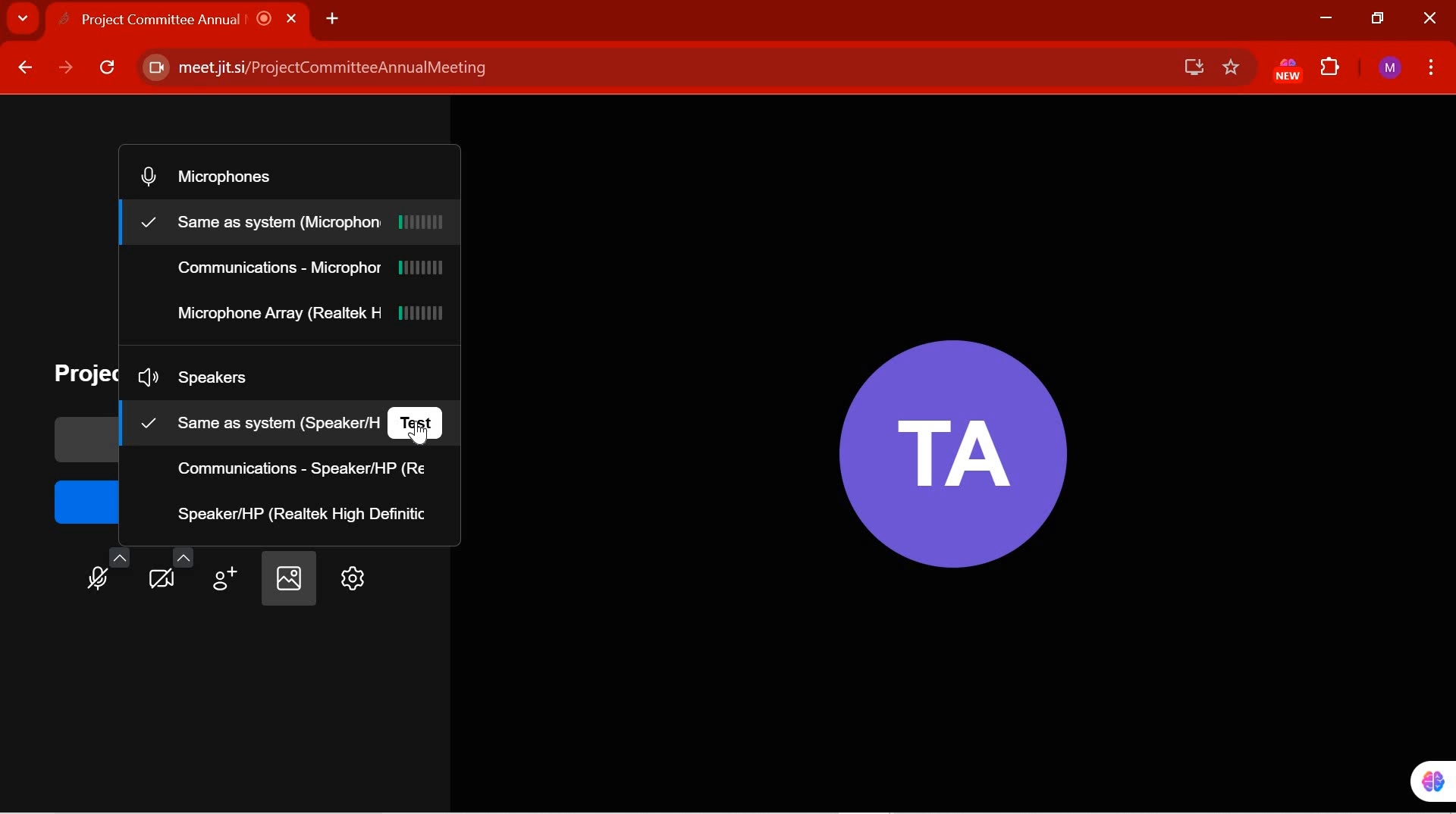 The width and height of the screenshot is (1456, 814). What do you see at coordinates (309, 315) in the screenshot?
I see `Microphone Array(Realtek` at bounding box center [309, 315].